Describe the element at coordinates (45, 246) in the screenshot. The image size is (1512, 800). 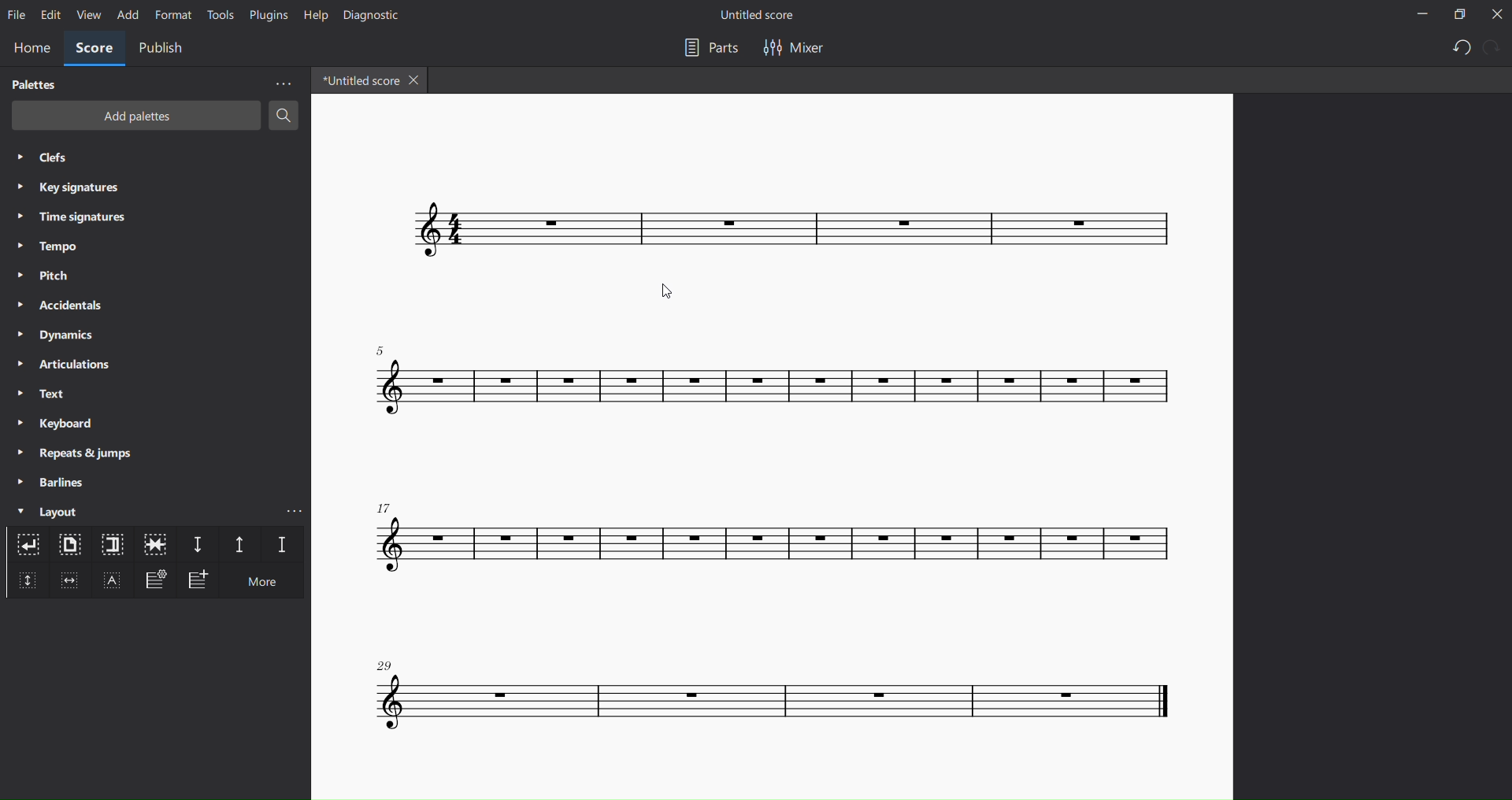
I see `tempo` at that location.